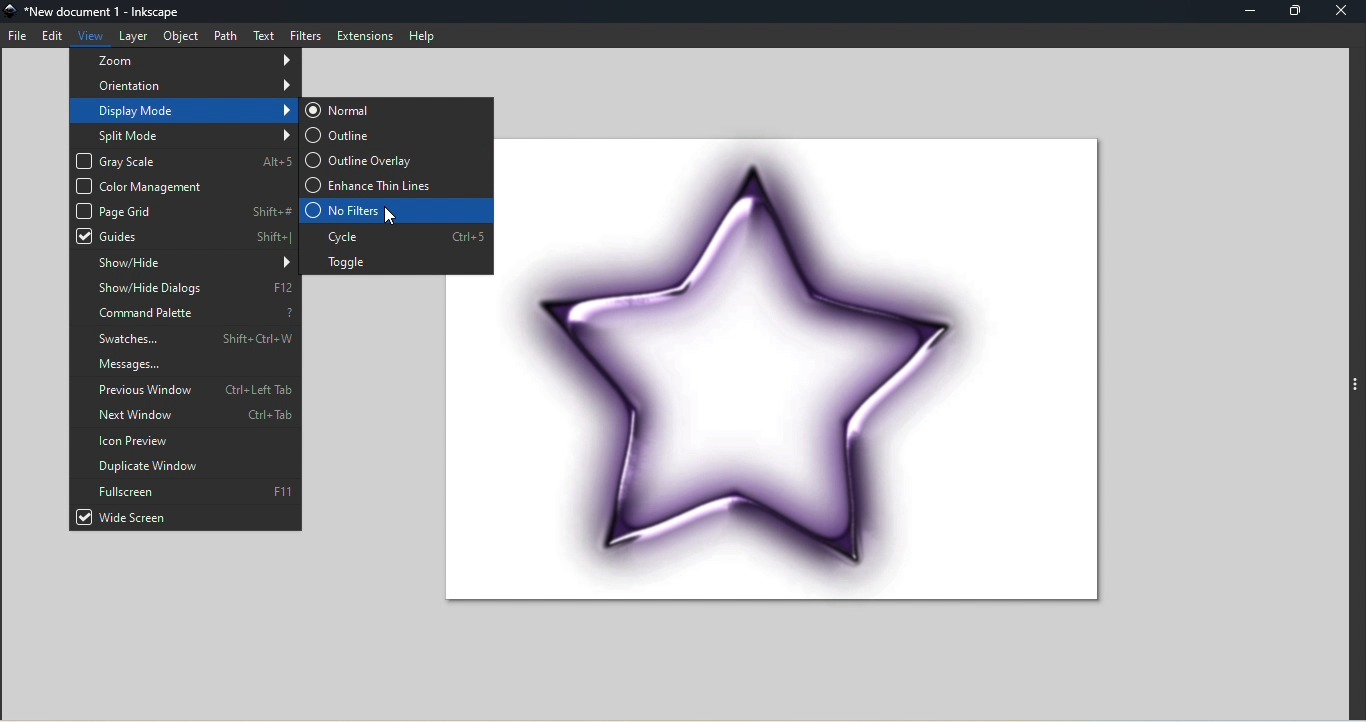  What do you see at coordinates (183, 185) in the screenshot?
I see `Color management` at bounding box center [183, 185].